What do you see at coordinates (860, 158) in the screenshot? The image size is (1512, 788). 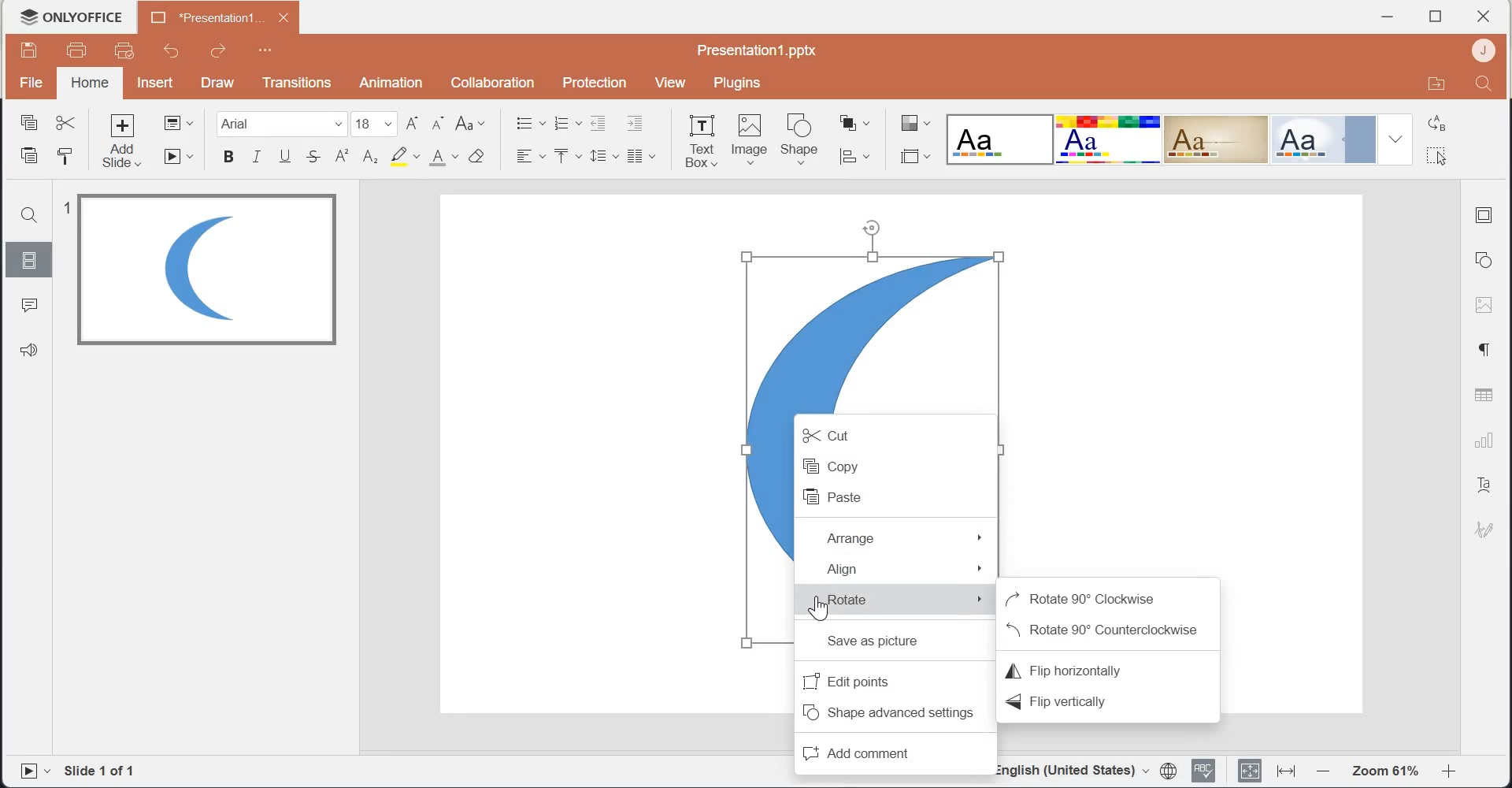 I see `Align shape` at bounding box center [860, 158].